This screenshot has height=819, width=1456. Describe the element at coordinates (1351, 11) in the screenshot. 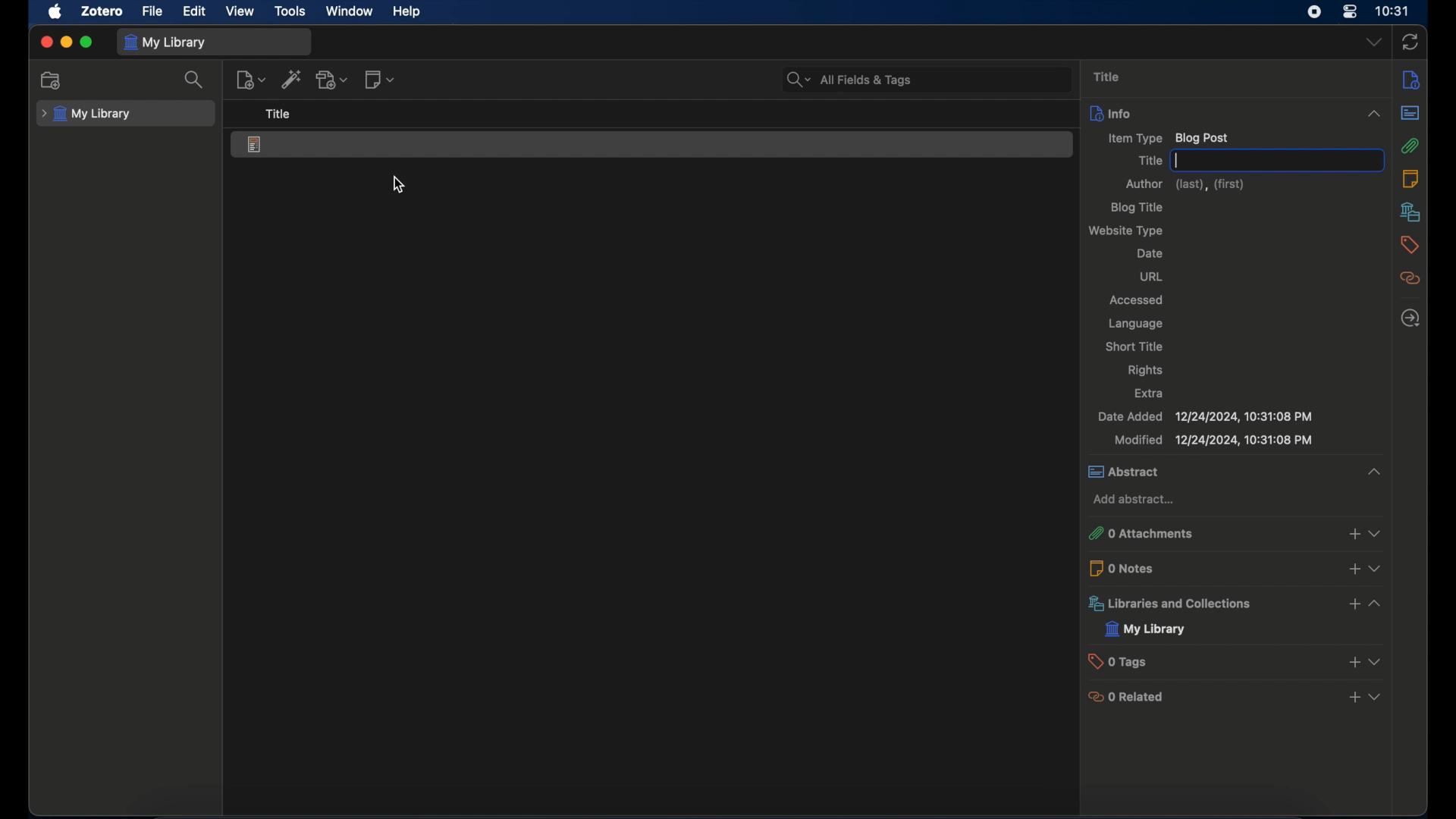

I see `control center` at that location.